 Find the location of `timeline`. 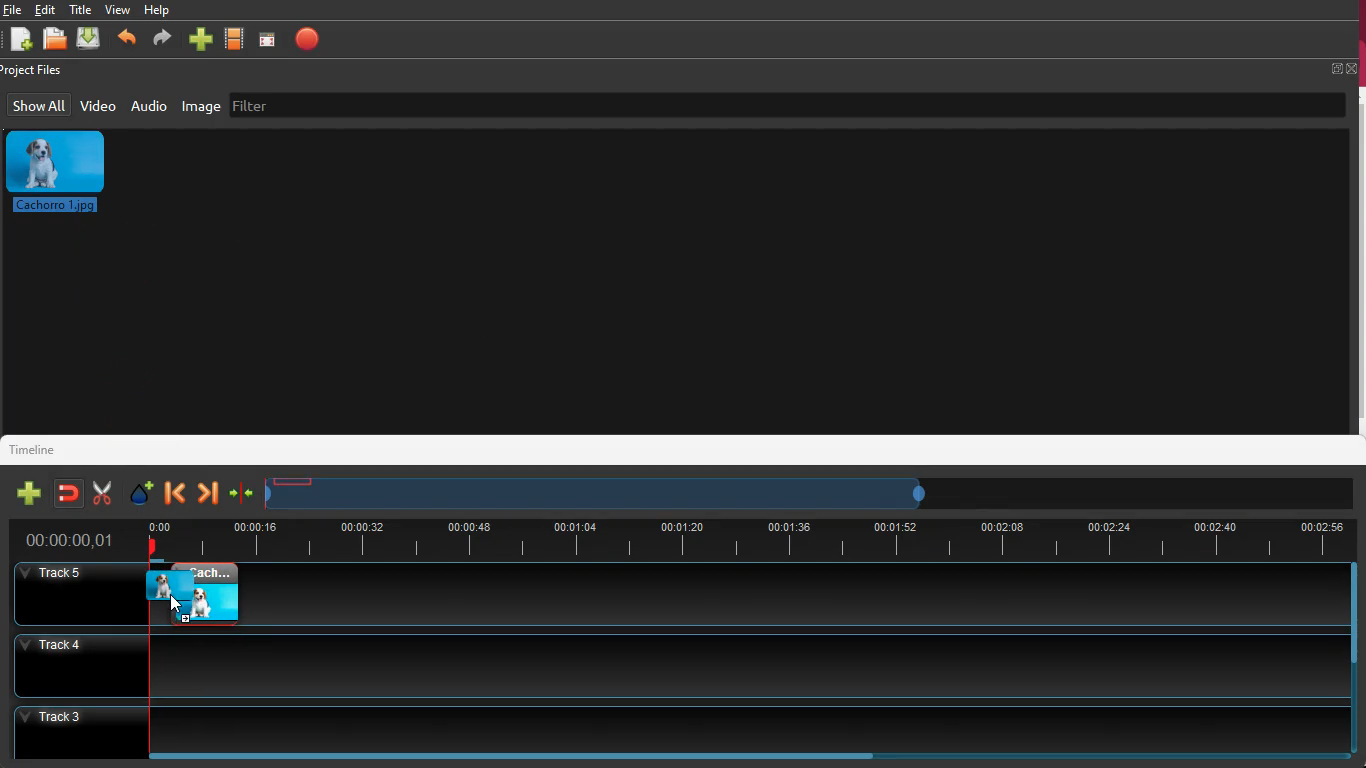

timeline is located at coordinates (41, 448).